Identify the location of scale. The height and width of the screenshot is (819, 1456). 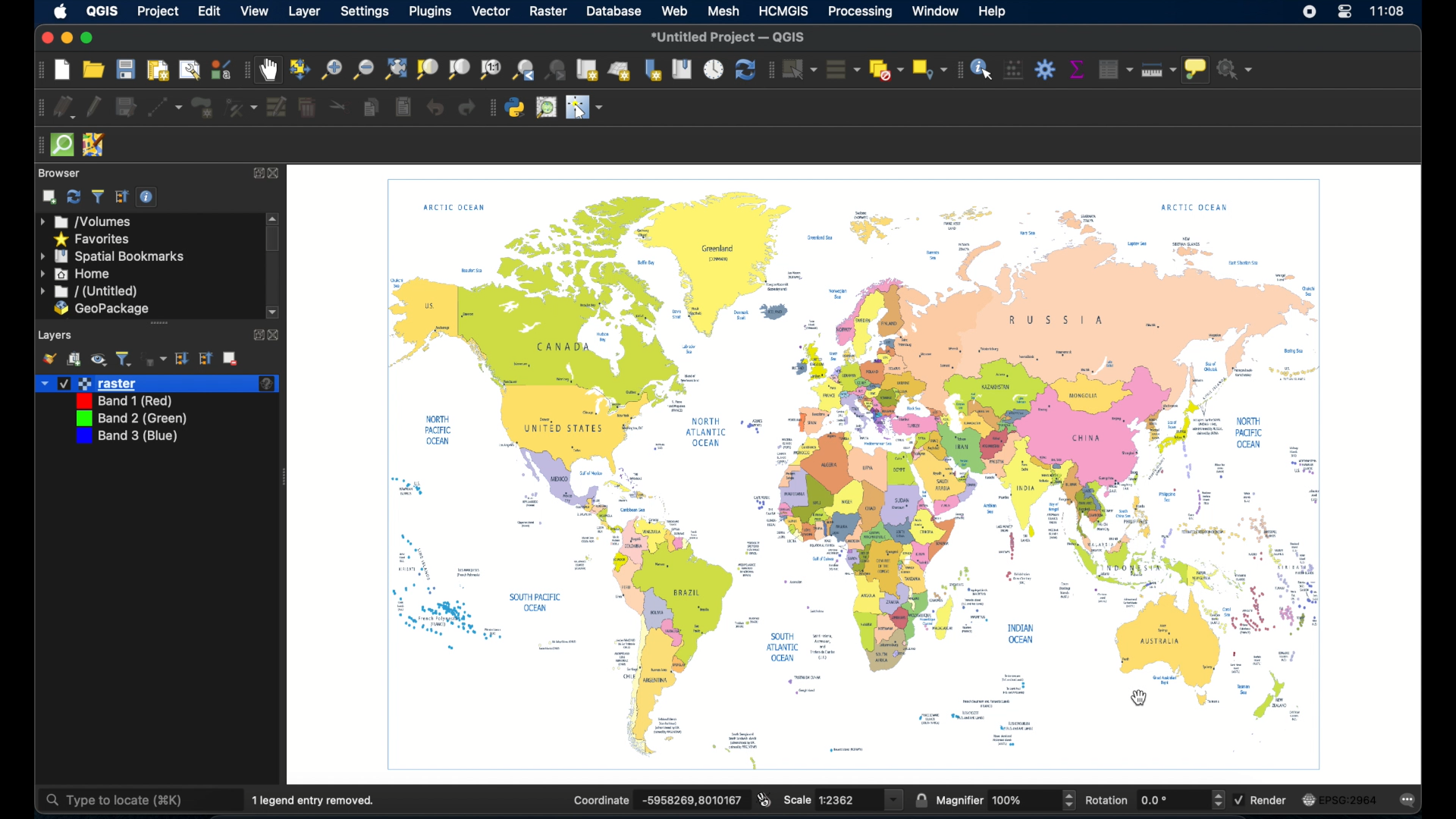
(845, 800).